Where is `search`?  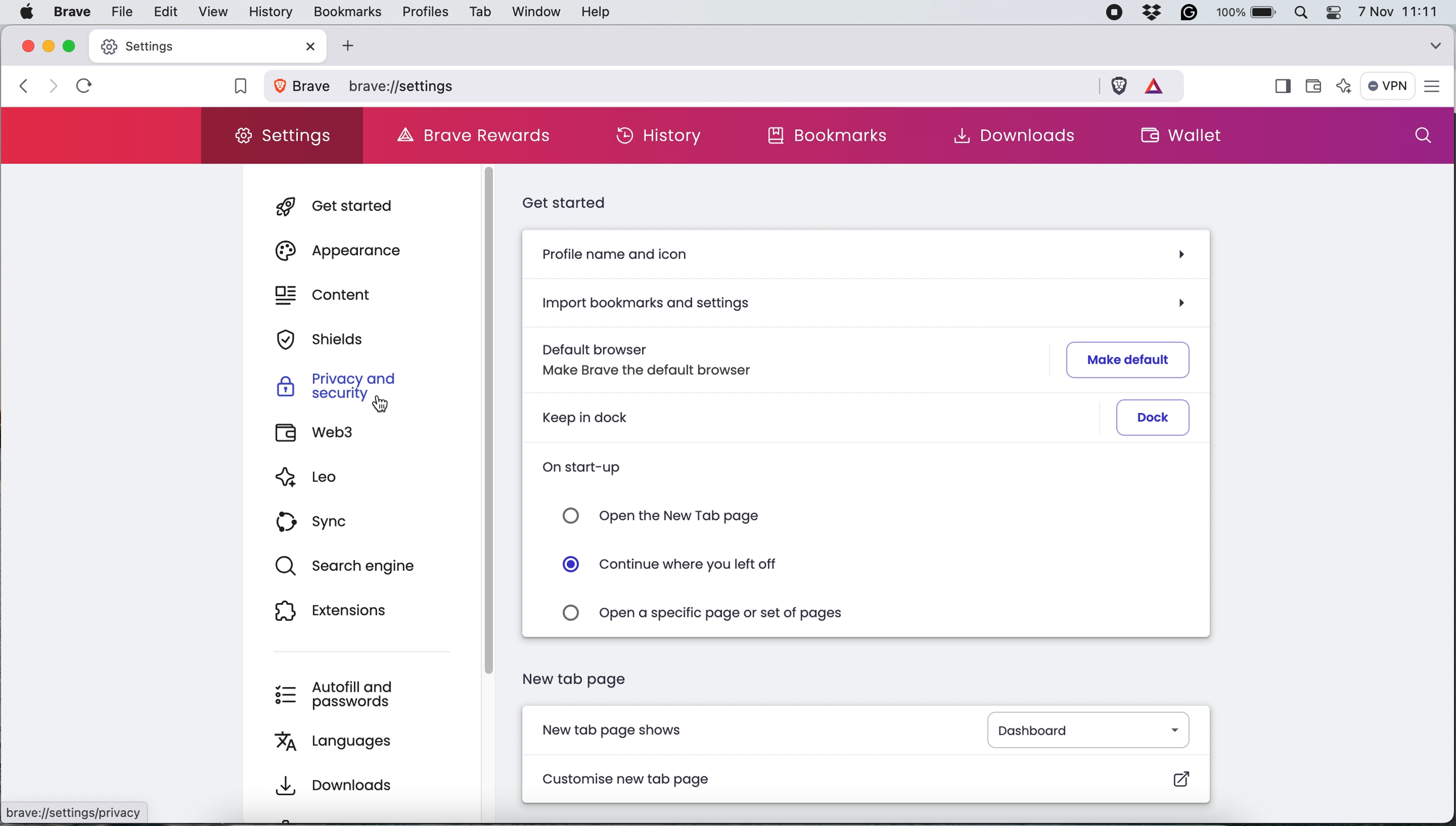
search is located at coordinates (1423, 136).